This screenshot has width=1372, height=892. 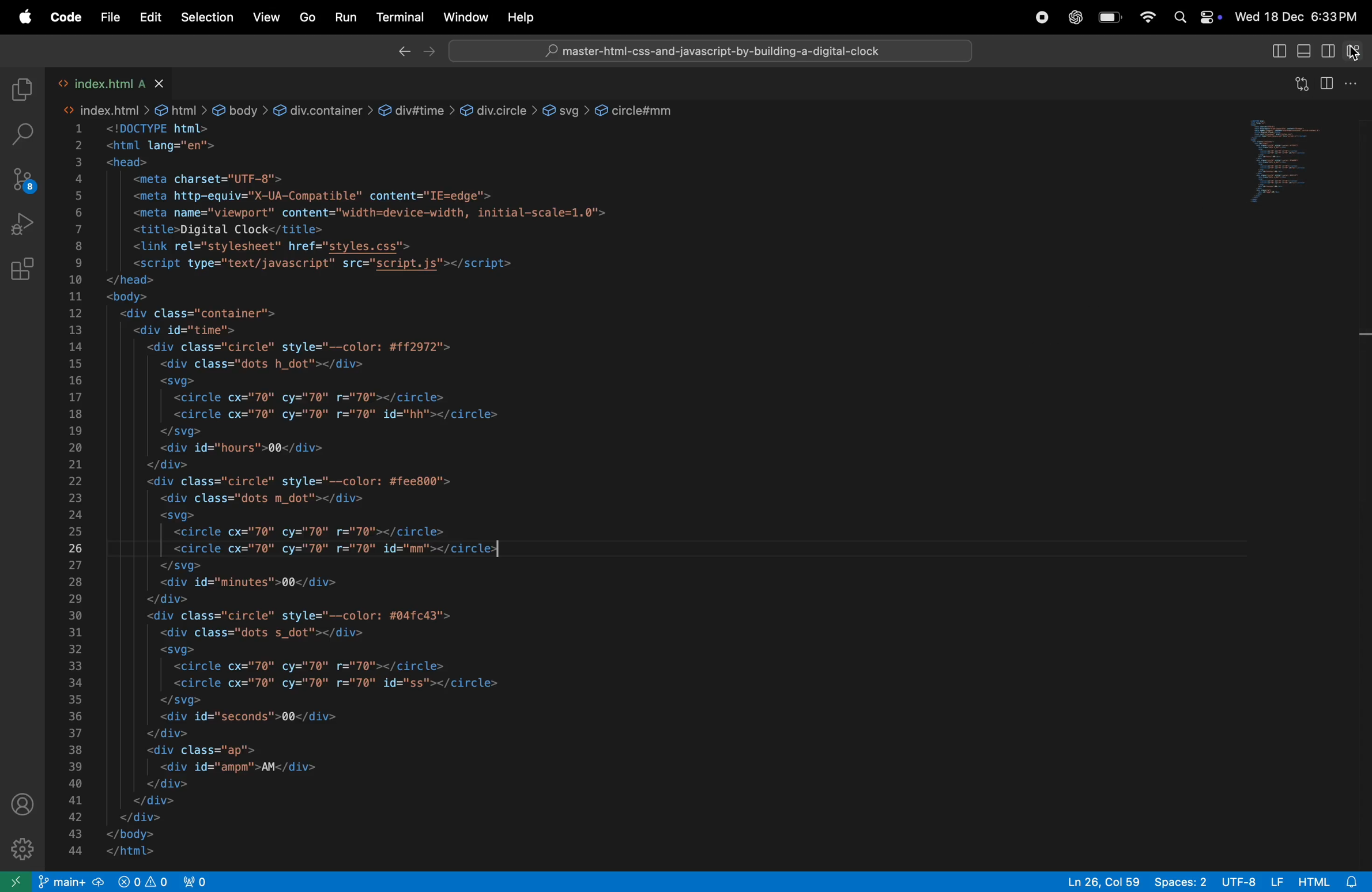 I want to click on index.html, so click(x=114, y=84).